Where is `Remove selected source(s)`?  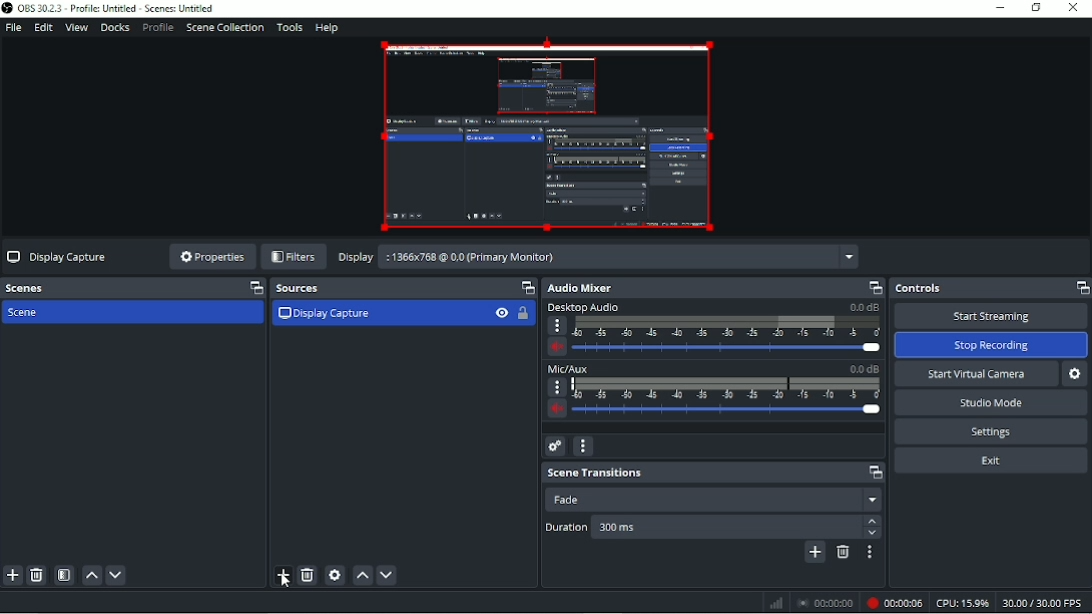 Remove selected source(s) is located at coordinates (307, 575).